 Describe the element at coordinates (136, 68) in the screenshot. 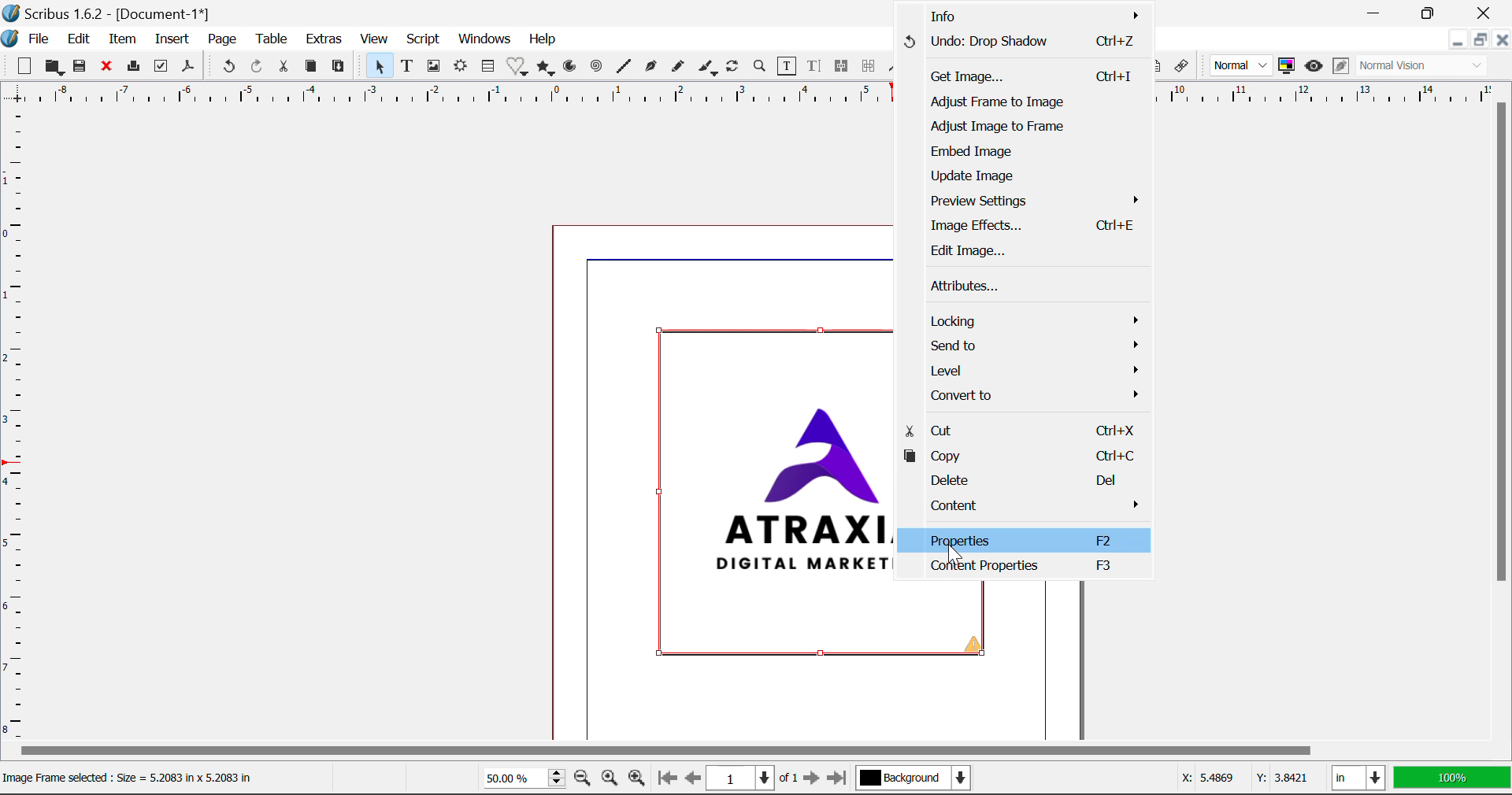

I see `Print` at that location.